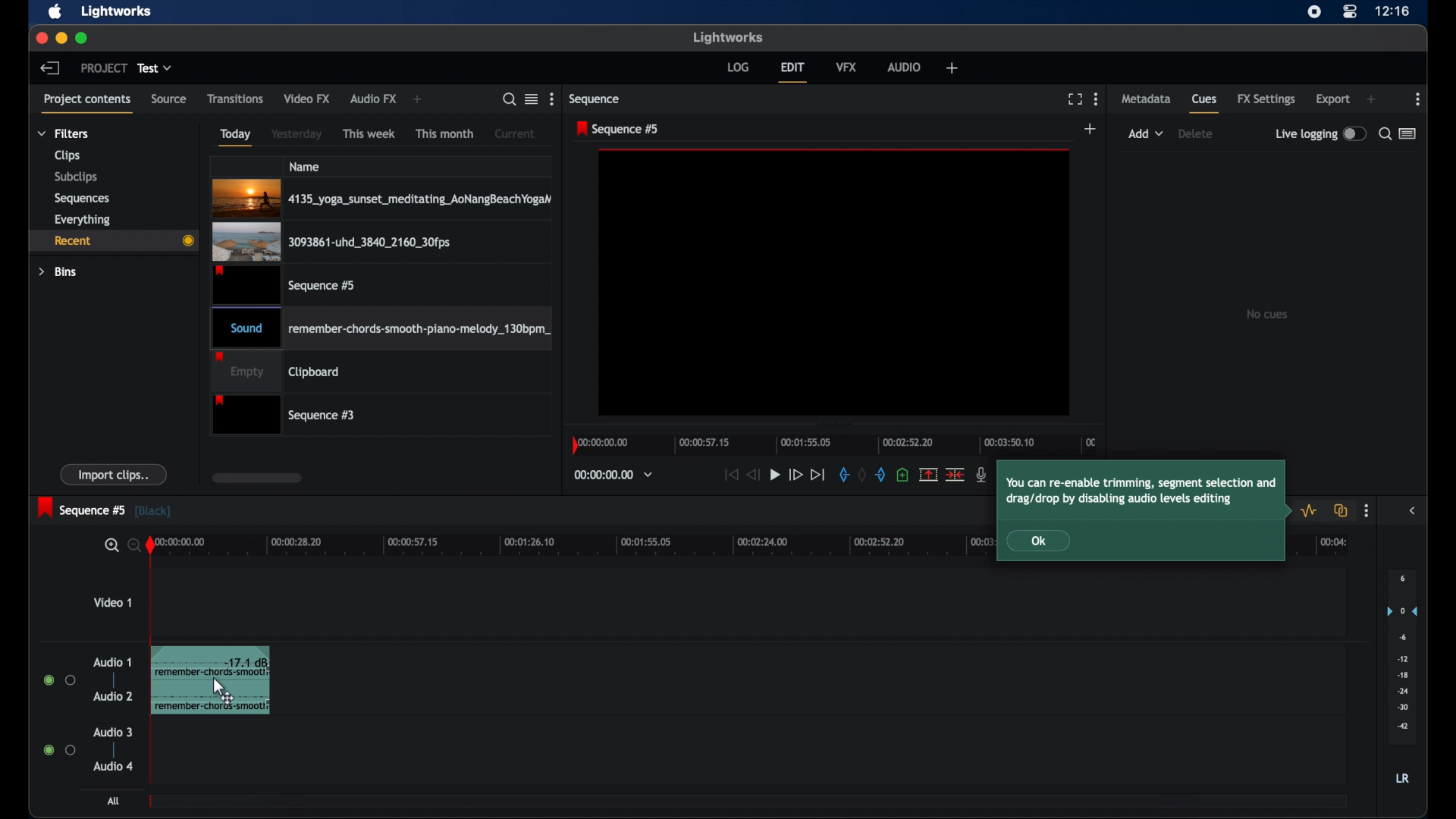  Describe the element at coordinates (1414, 510) in the screenshot. I see `sidebar` at that location.